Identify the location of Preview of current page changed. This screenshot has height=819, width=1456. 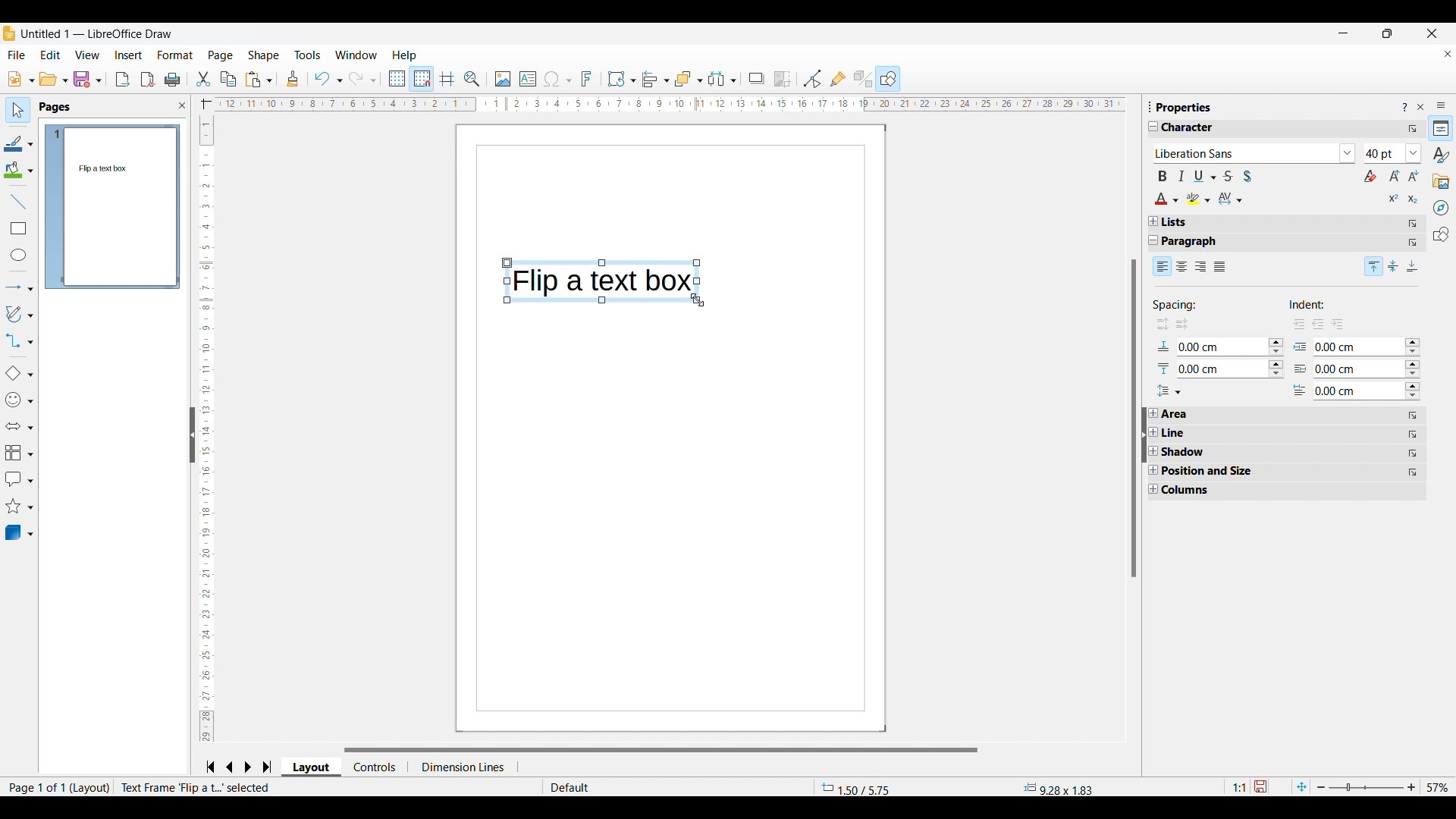
(120, 206).